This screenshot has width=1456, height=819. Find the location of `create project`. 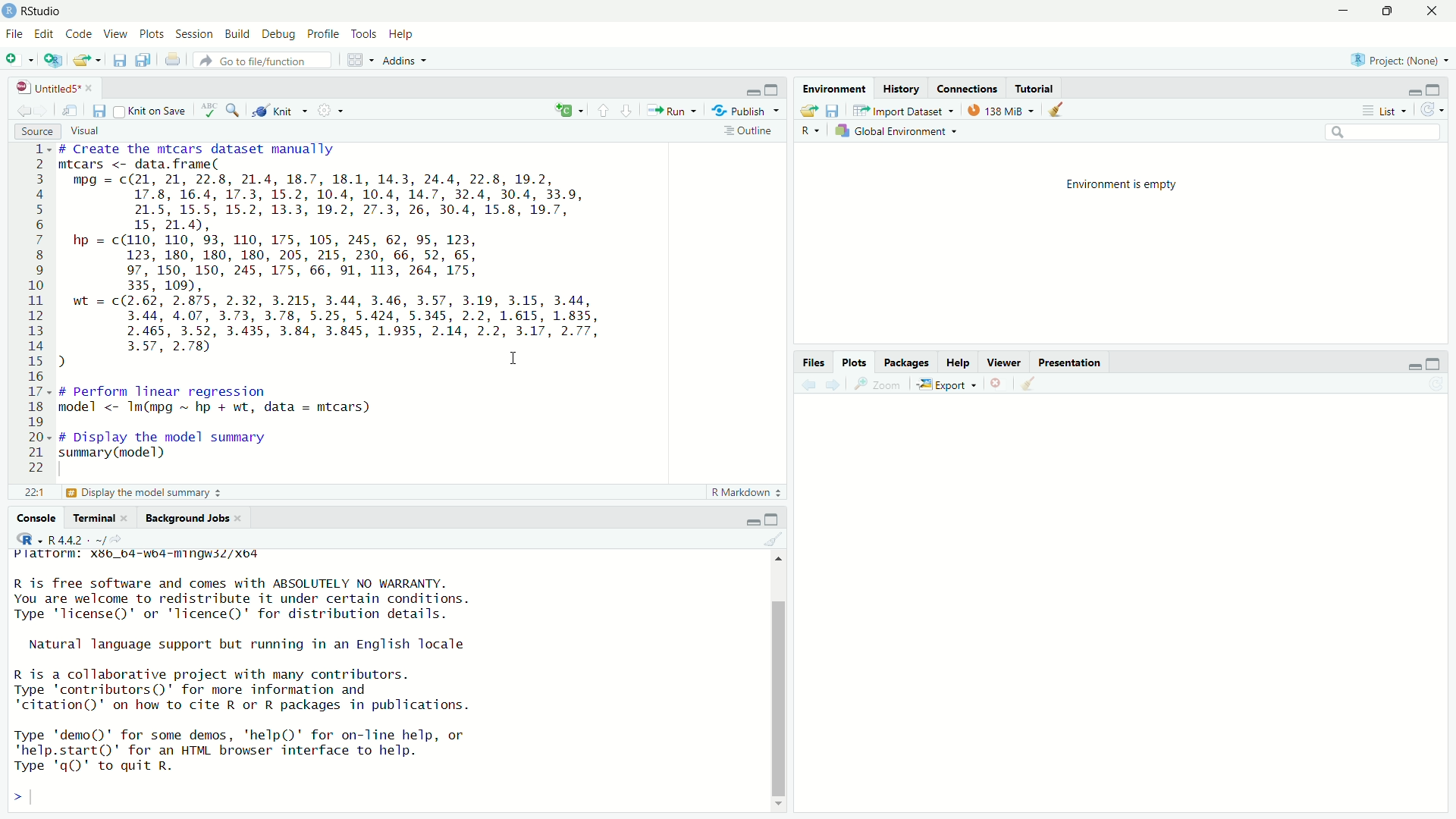

create project is located at coordinates (54, 61).